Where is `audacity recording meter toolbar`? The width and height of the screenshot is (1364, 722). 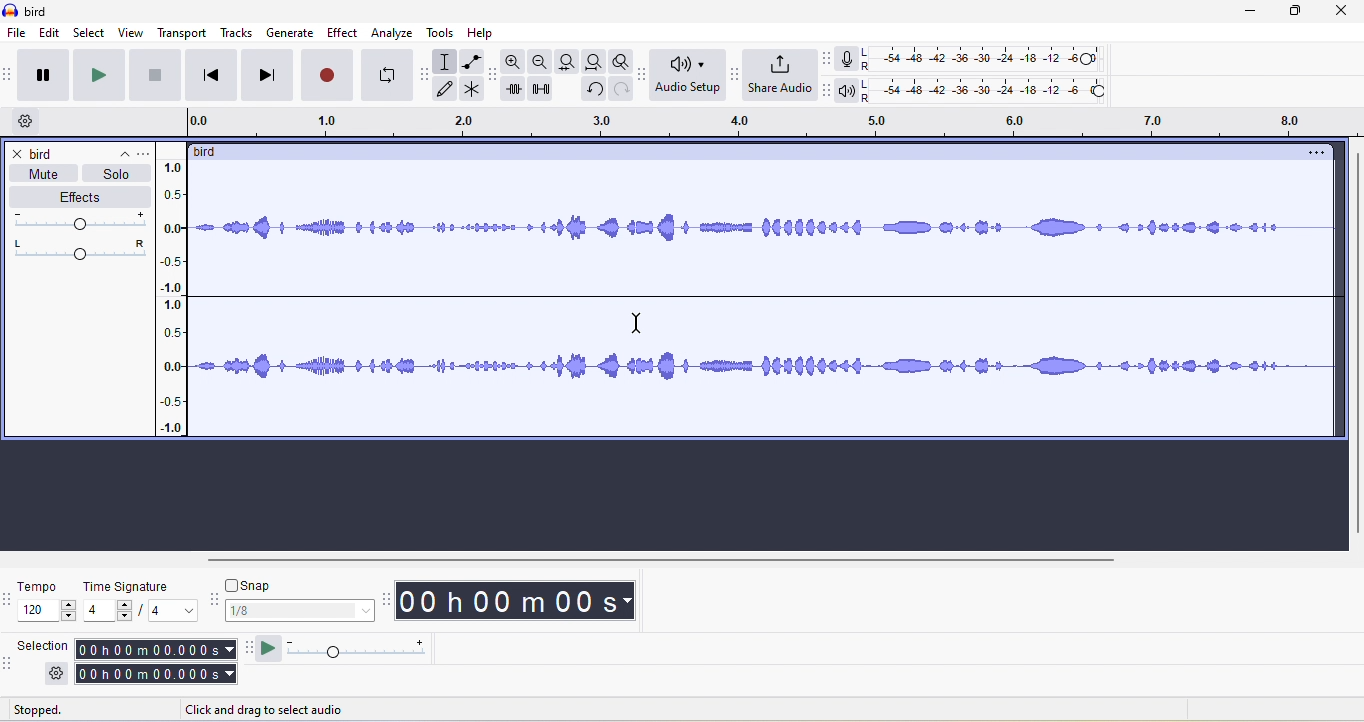 audacity recording meter toolbar is located at coordinates (822, 58).